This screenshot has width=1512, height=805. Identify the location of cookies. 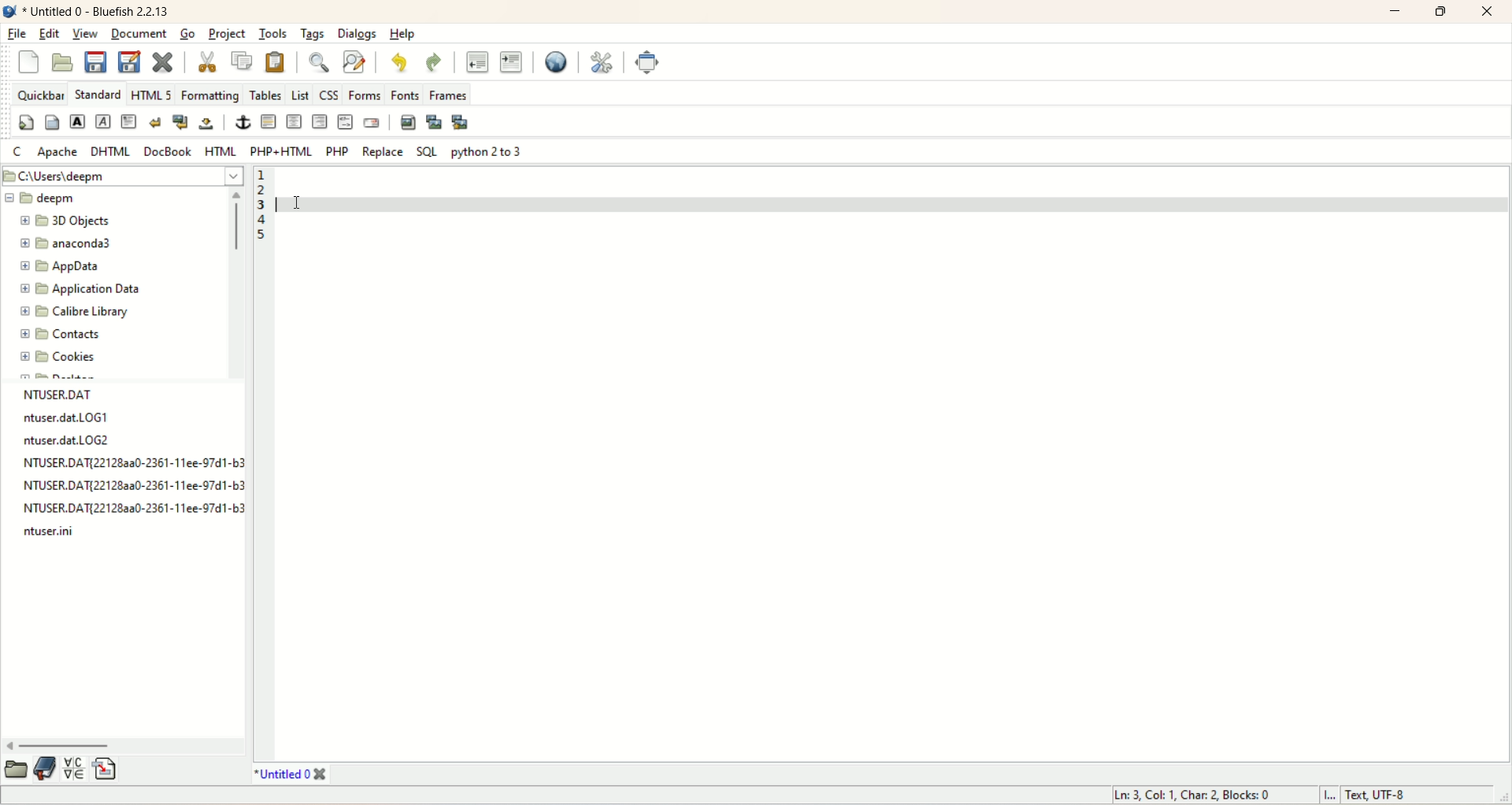
(57, 355).